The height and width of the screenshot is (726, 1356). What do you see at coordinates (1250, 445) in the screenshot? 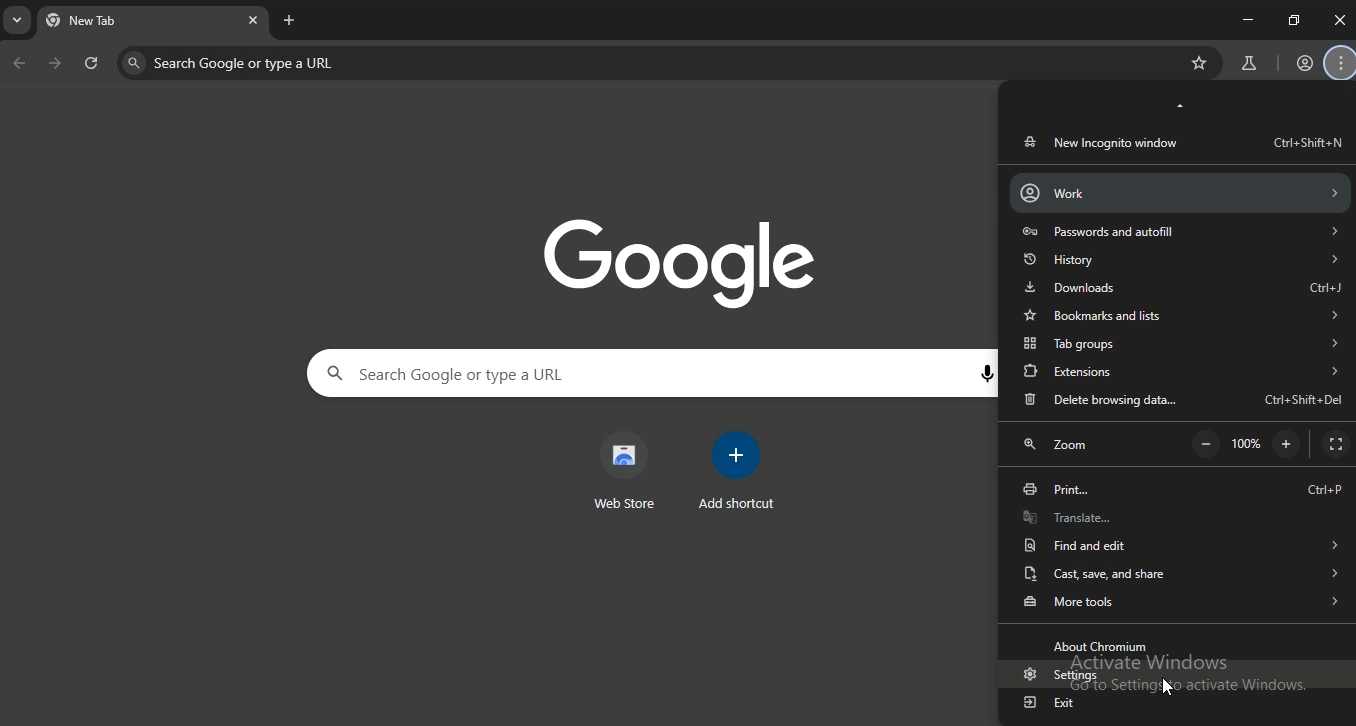
I see `100%` at bounding box center [1250, 445].